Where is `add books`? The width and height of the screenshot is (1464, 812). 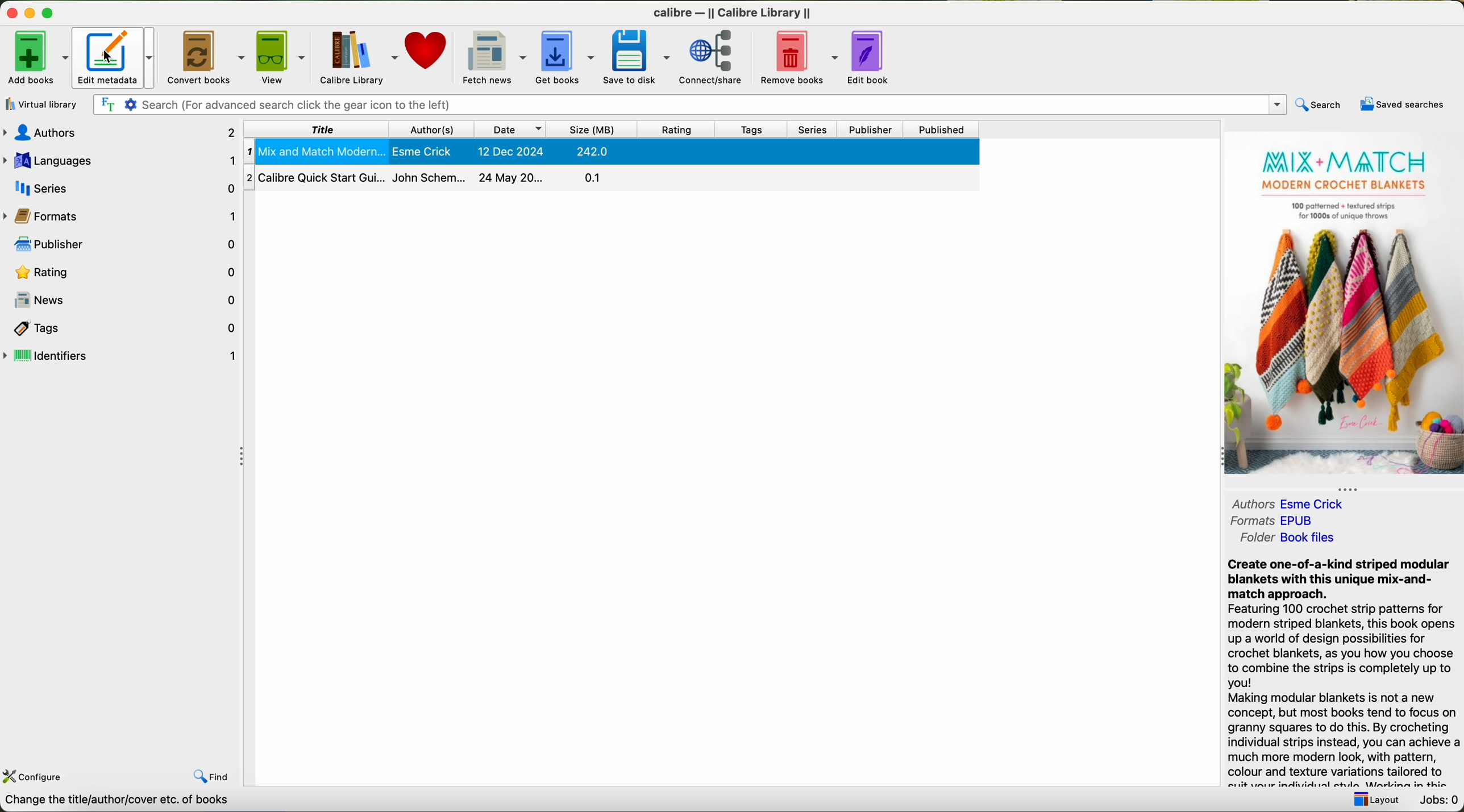 add books is located at coordinates (36, 56).